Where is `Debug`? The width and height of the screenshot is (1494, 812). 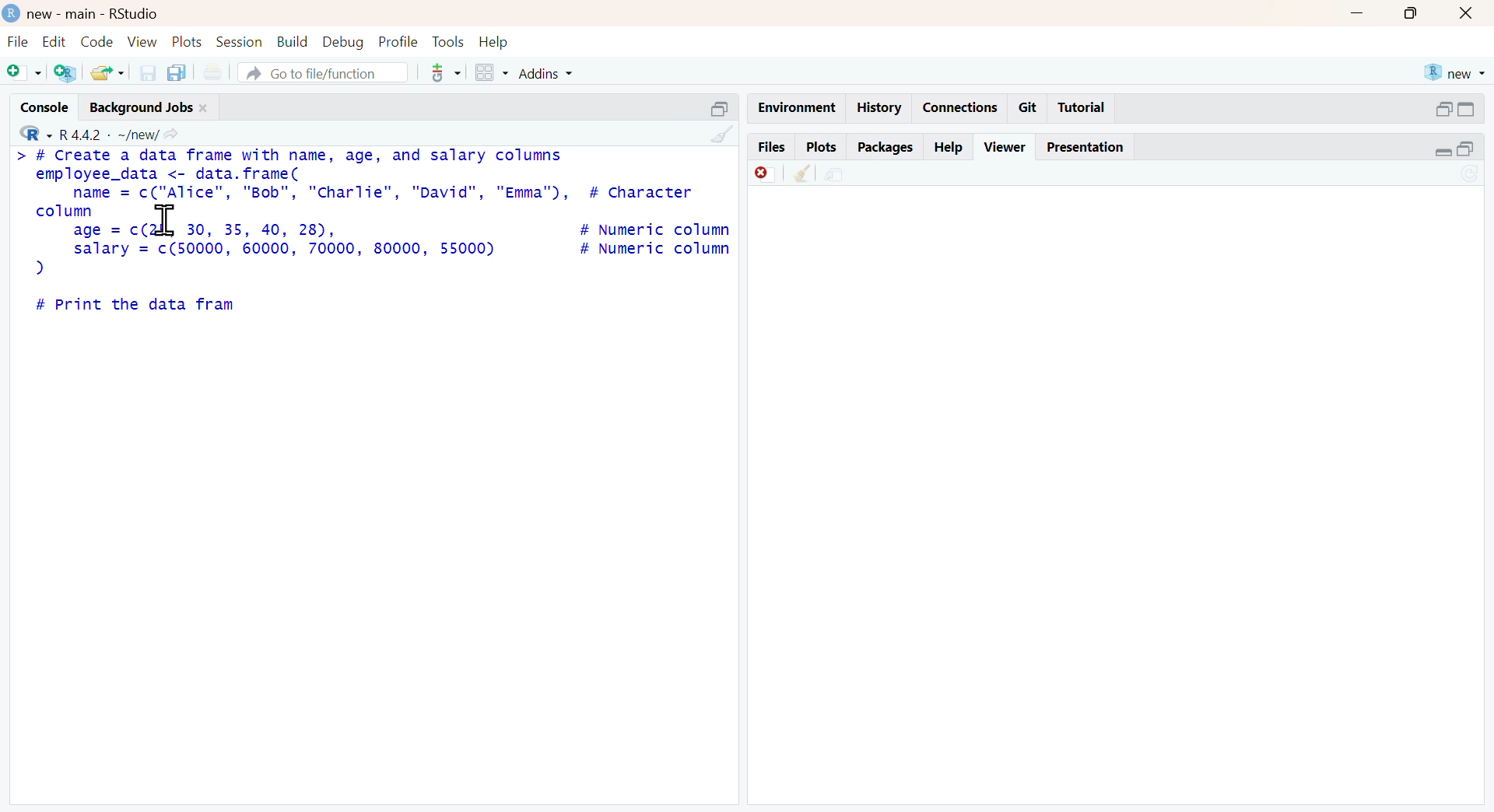 Debug is located at coordinates (343, 42).